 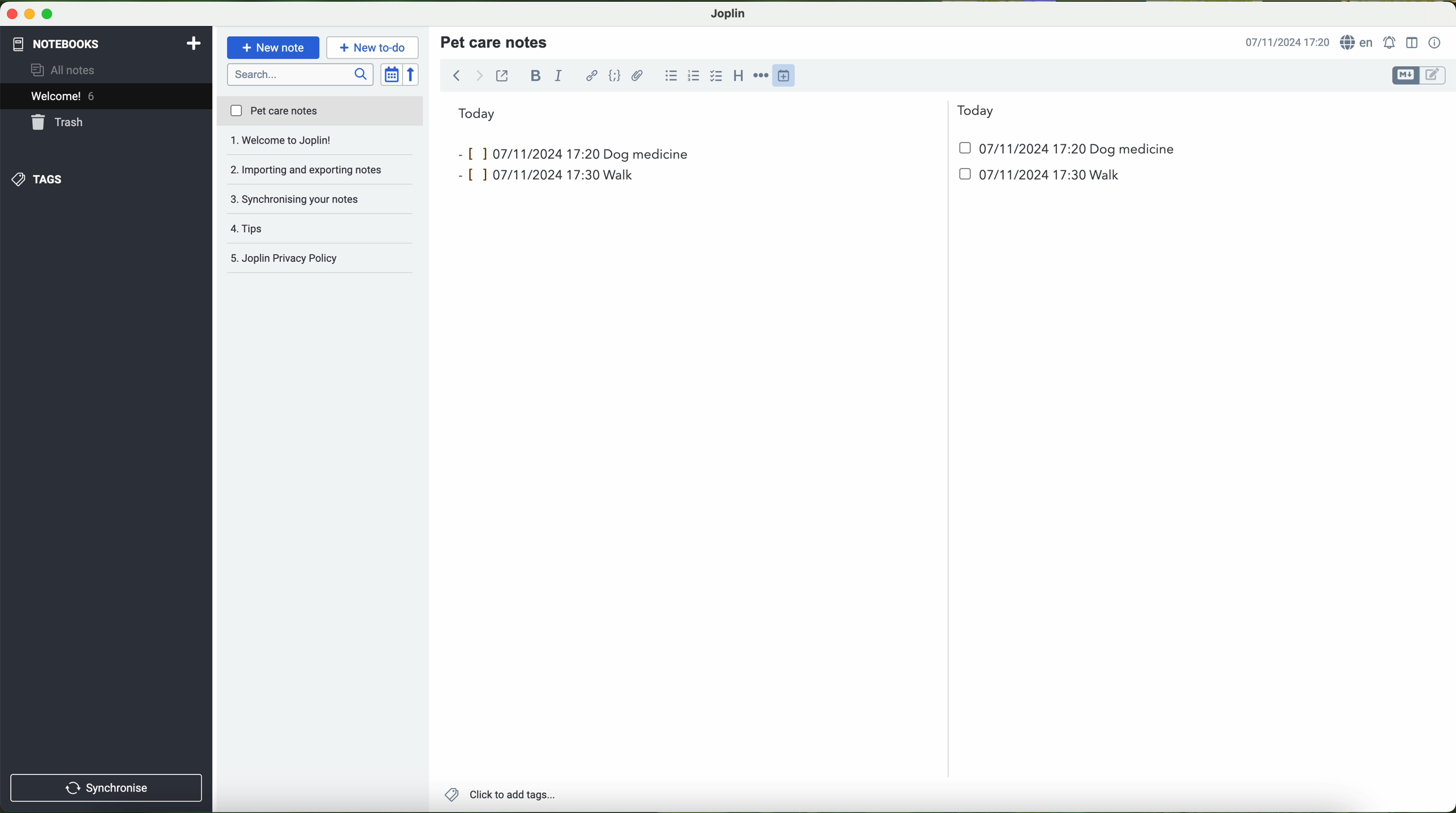 What do you see at coordinates (1286, 43) in the screenshot?
I see `hour and date` at bounding box center [1286, 43].